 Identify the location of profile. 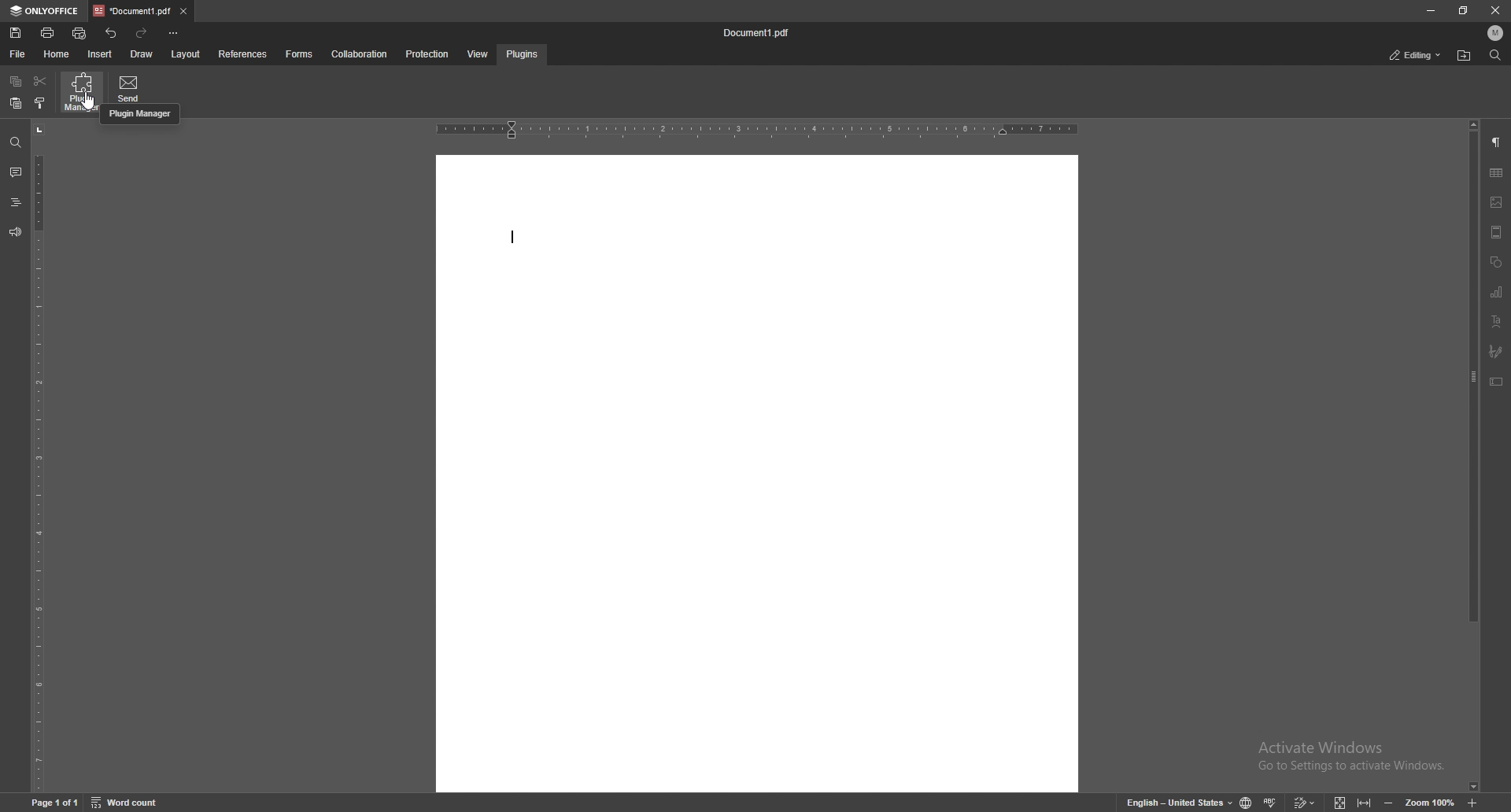
(1498, 32).